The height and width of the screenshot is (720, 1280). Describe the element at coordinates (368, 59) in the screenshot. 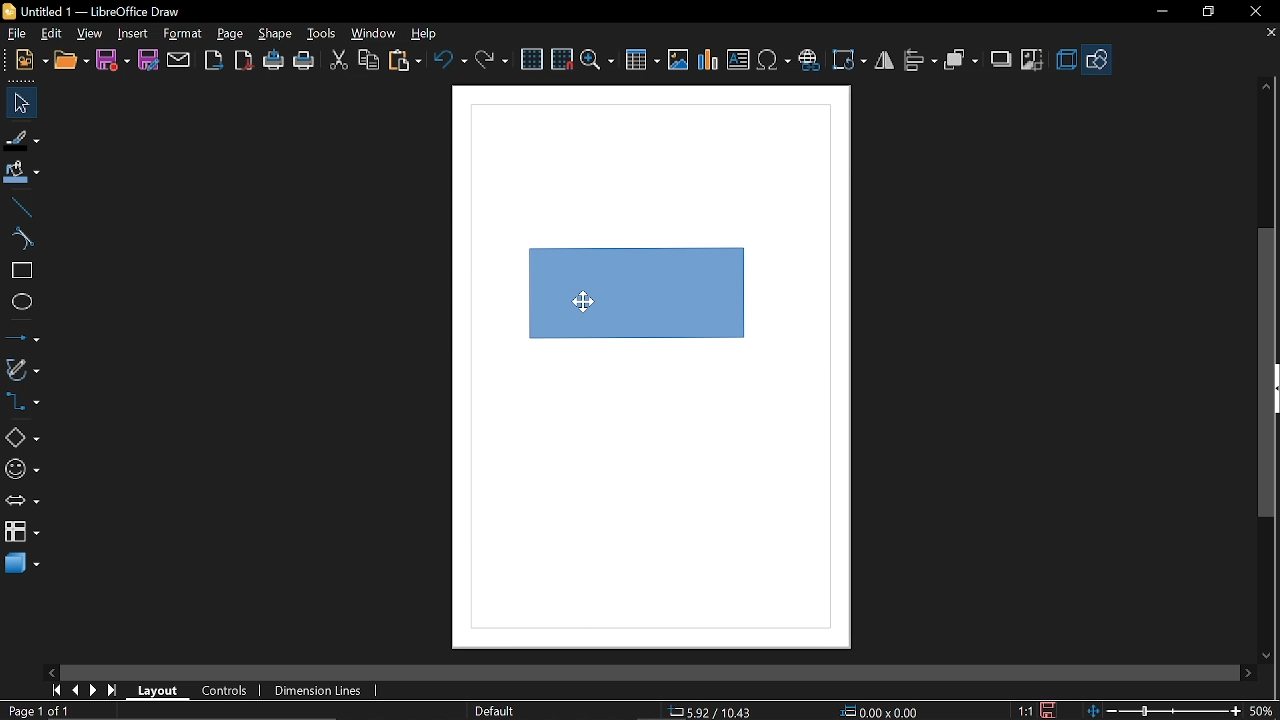

I see `Copy` at that location.